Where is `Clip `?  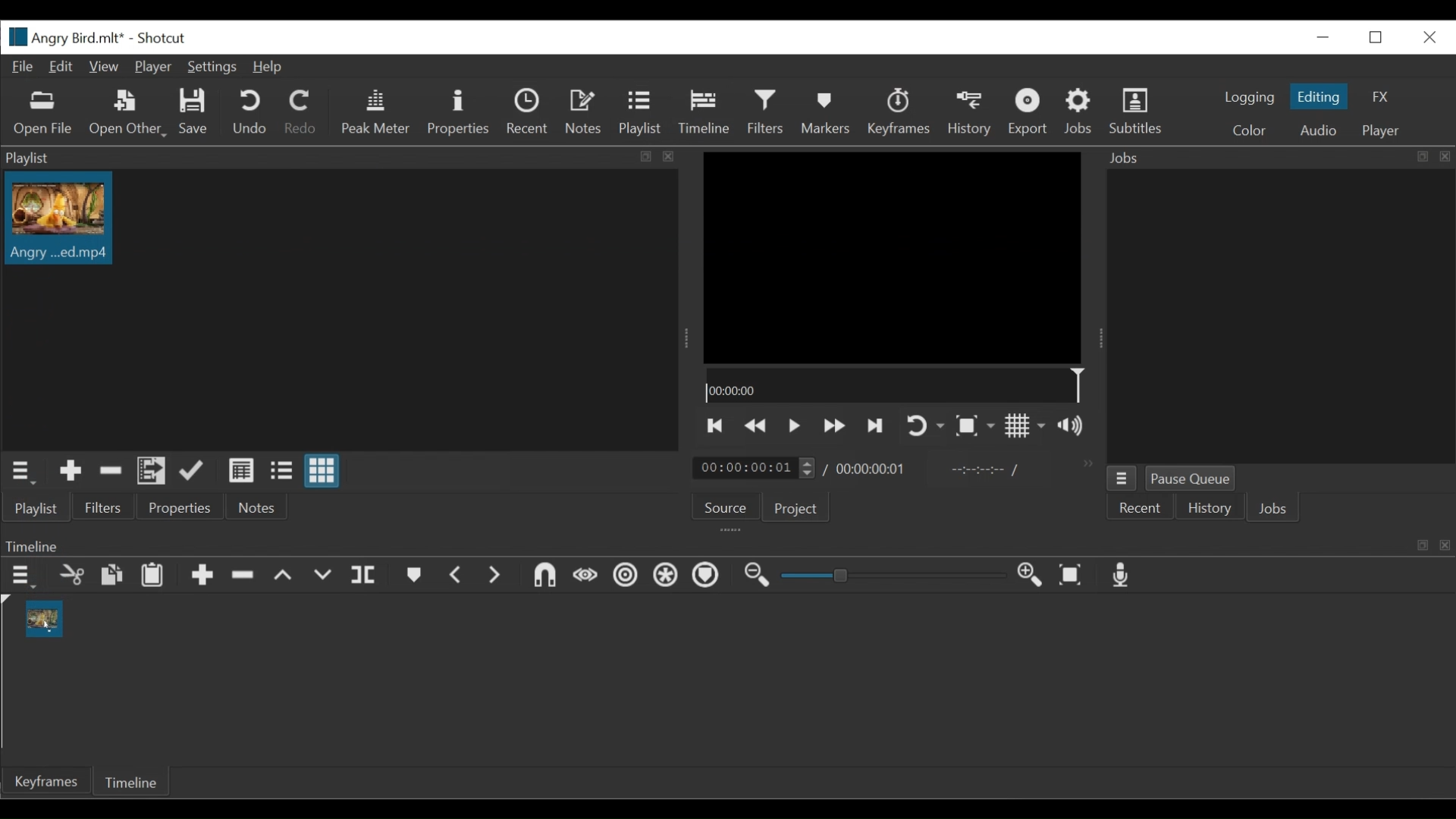 Clip  is located at coordinates (65, 222).